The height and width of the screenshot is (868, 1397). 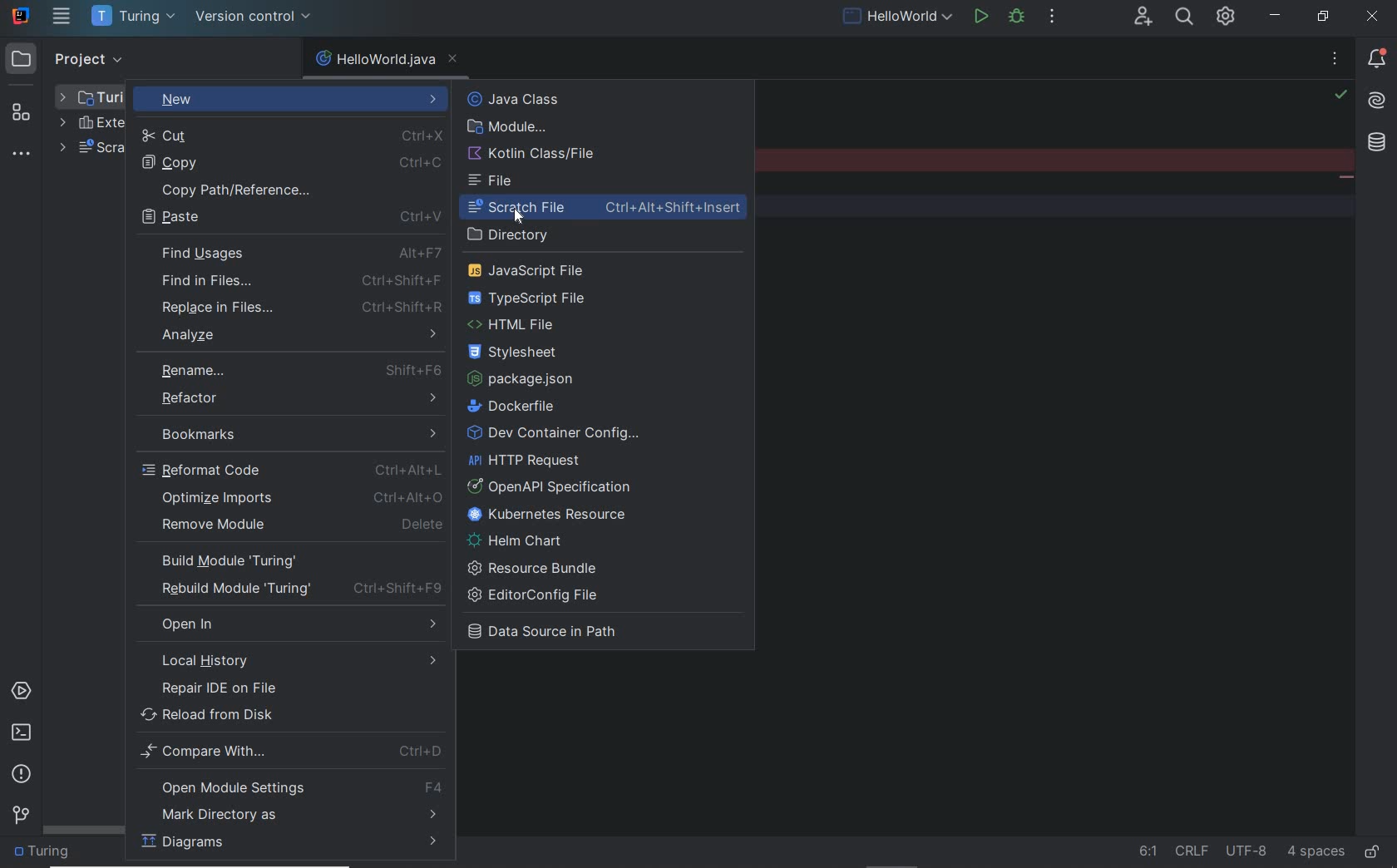 I want to click on search everywhere, so click(x=1185, y=18).